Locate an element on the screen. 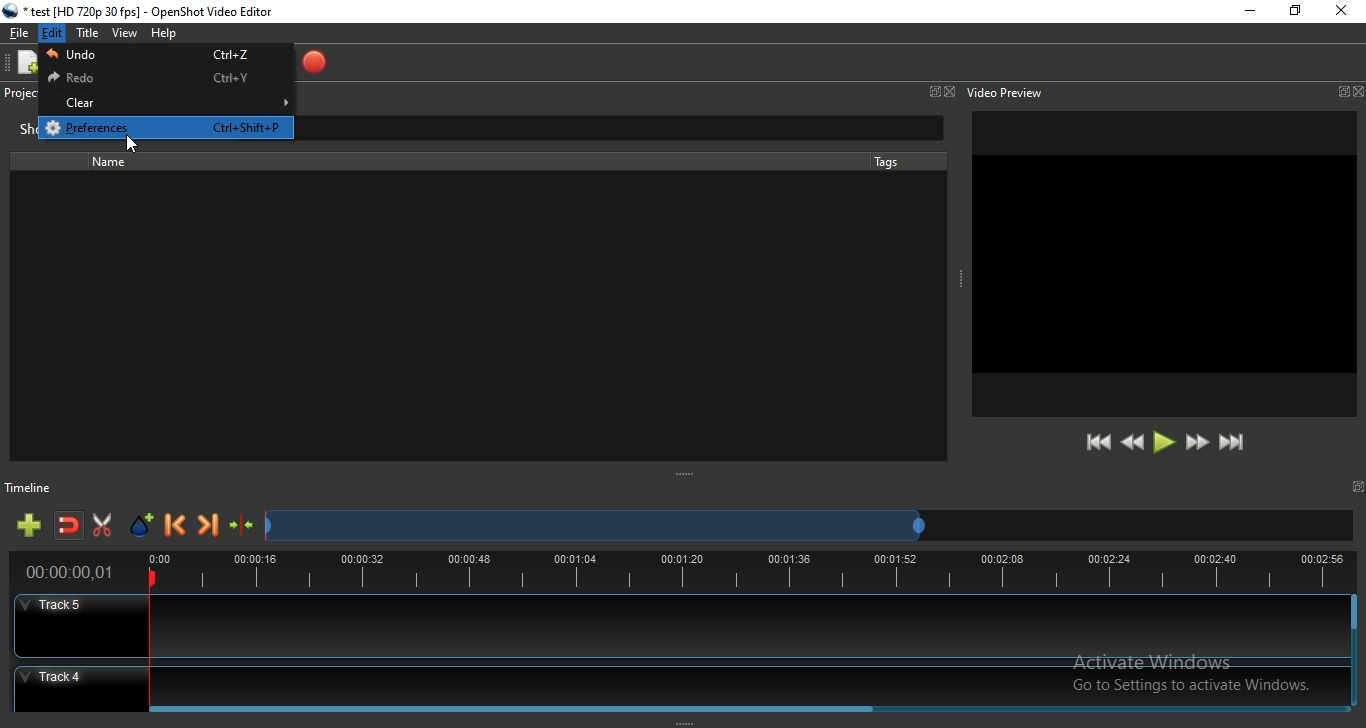  " test [HD 720p 30 fps] - OpenShot Video Editor is located at coordinates (149, 14).